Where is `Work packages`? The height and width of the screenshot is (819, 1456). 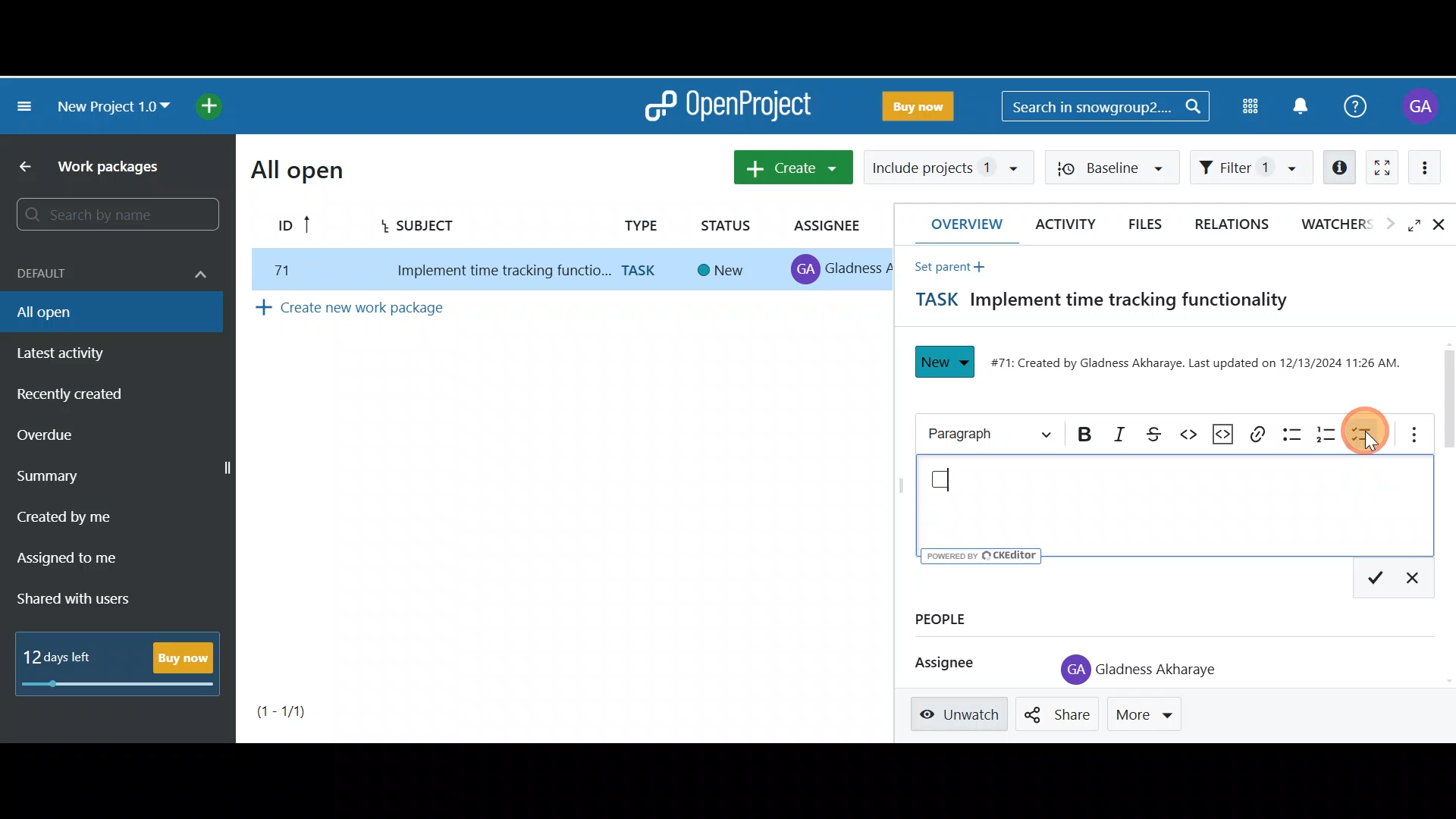
Work packages is located at coordinates (99, 166).